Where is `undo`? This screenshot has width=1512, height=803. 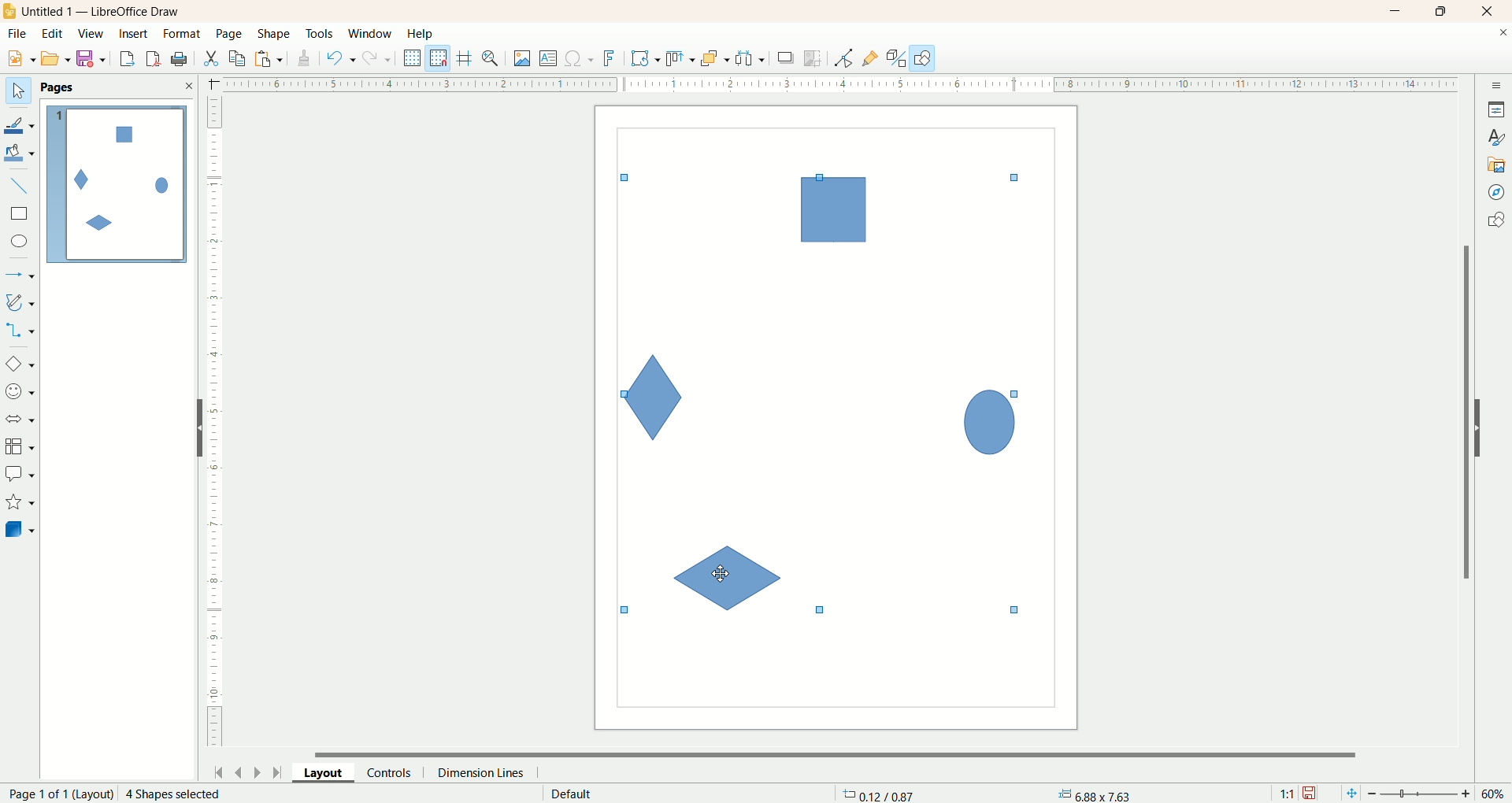 undo is located at coordinates (341, 58).